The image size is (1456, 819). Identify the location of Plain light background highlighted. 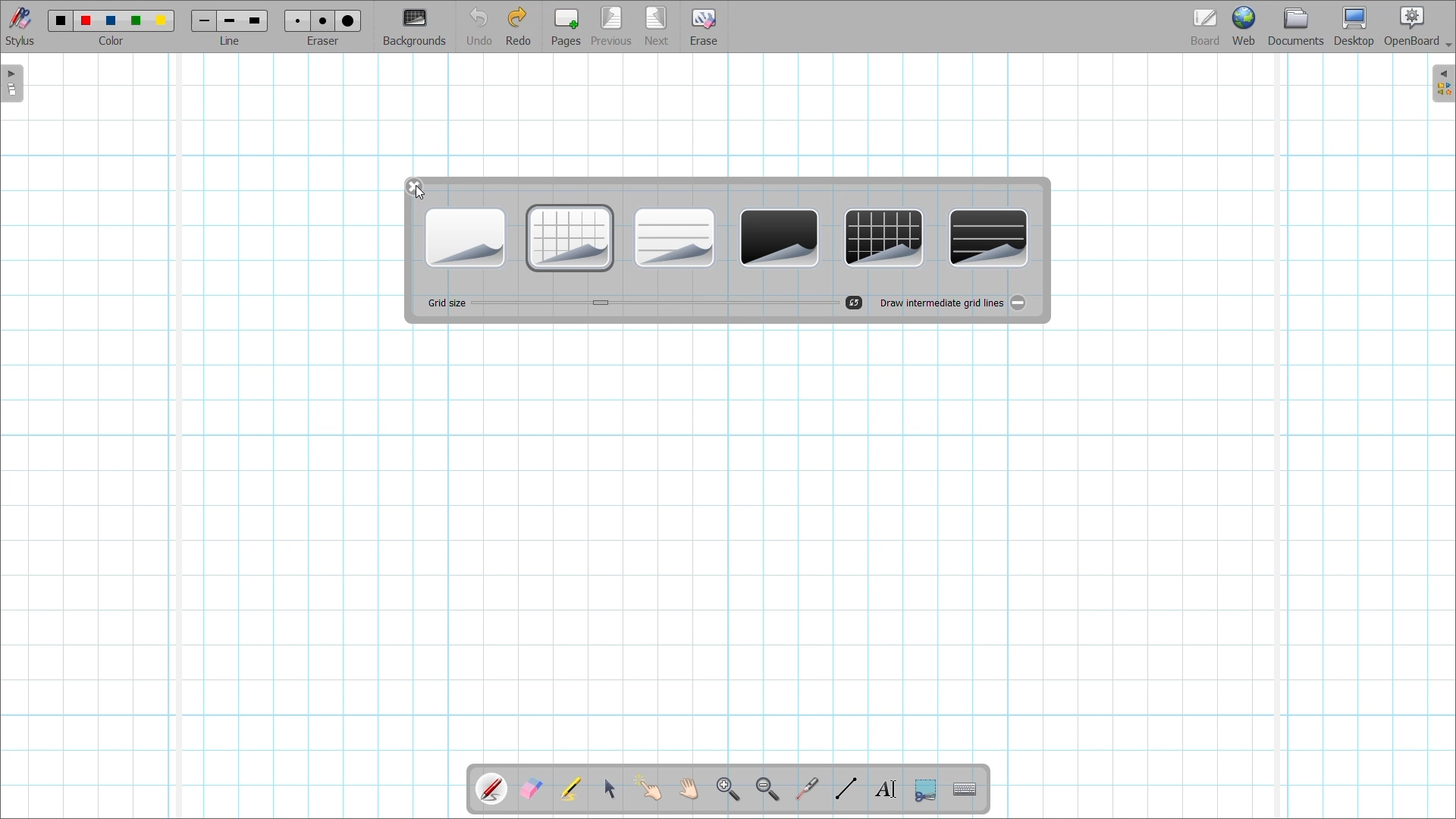
(466, 238).